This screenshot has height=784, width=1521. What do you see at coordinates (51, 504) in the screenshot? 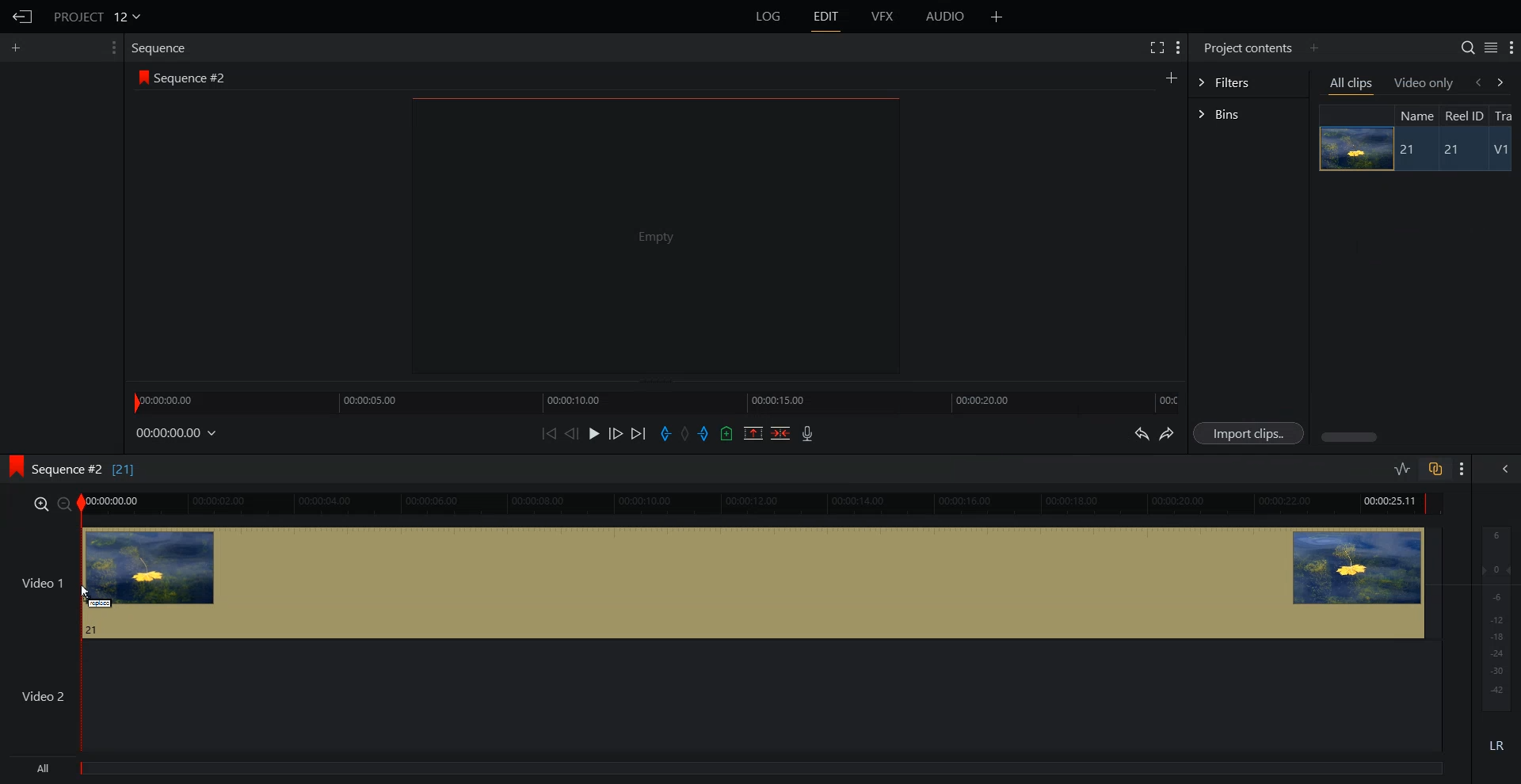
I see `Zoom in and Out` at bounding box center [51, 504].